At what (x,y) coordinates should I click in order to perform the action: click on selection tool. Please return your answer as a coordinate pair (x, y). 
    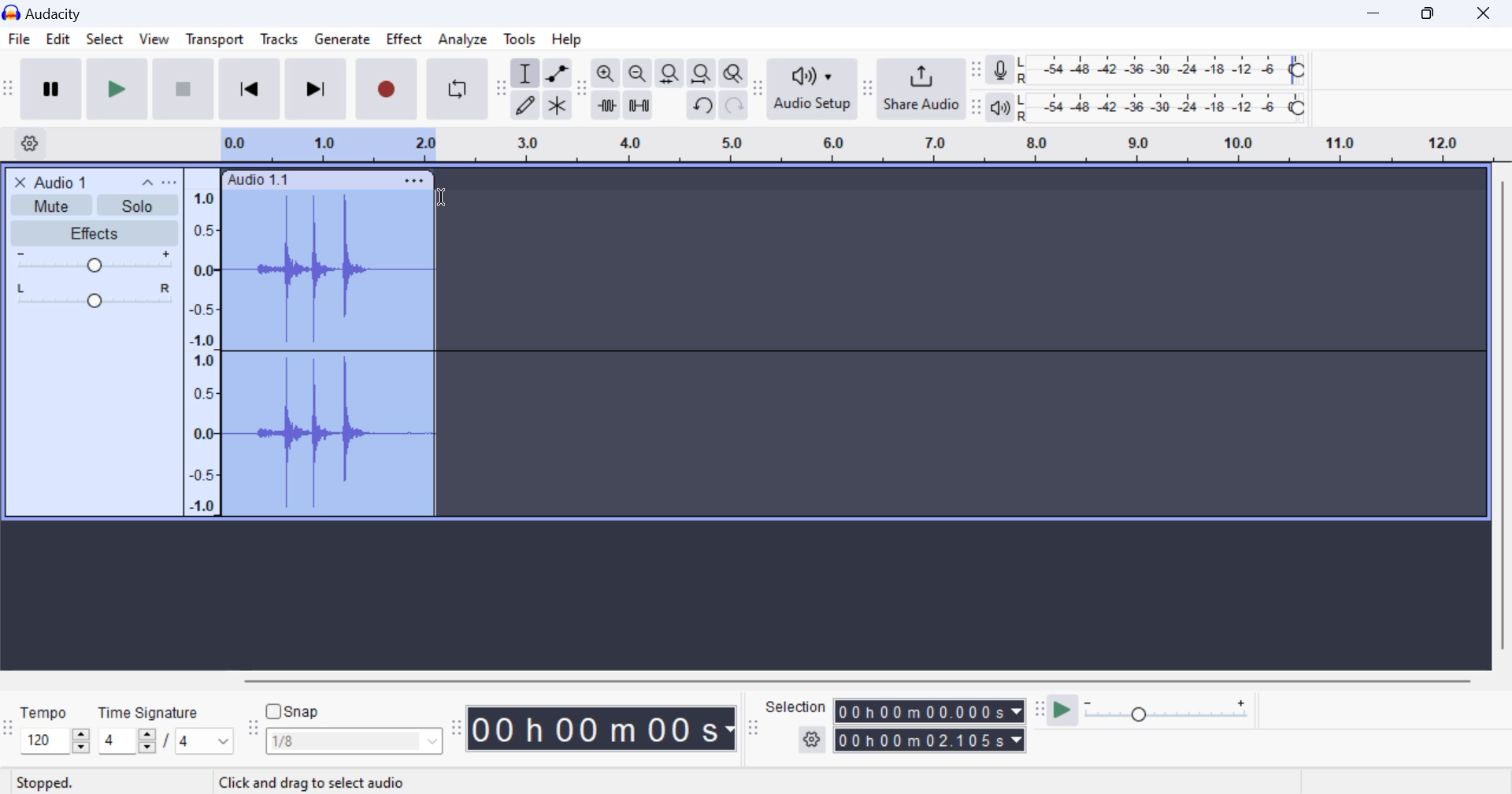
    Looking at the image, I should click on (527, 76).